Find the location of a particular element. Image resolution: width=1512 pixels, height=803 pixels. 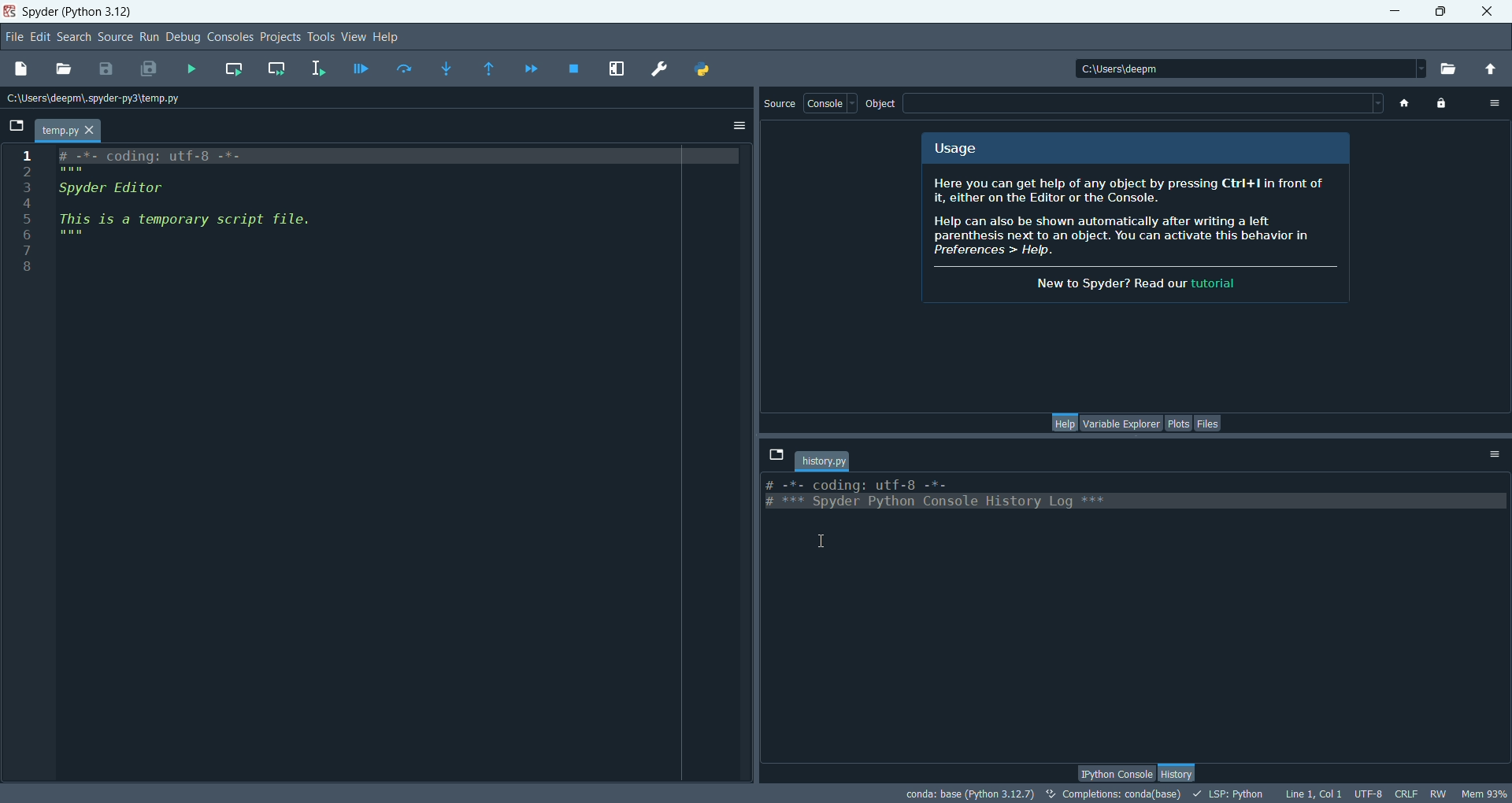

CRLF is located at coordinates (1406, 794).